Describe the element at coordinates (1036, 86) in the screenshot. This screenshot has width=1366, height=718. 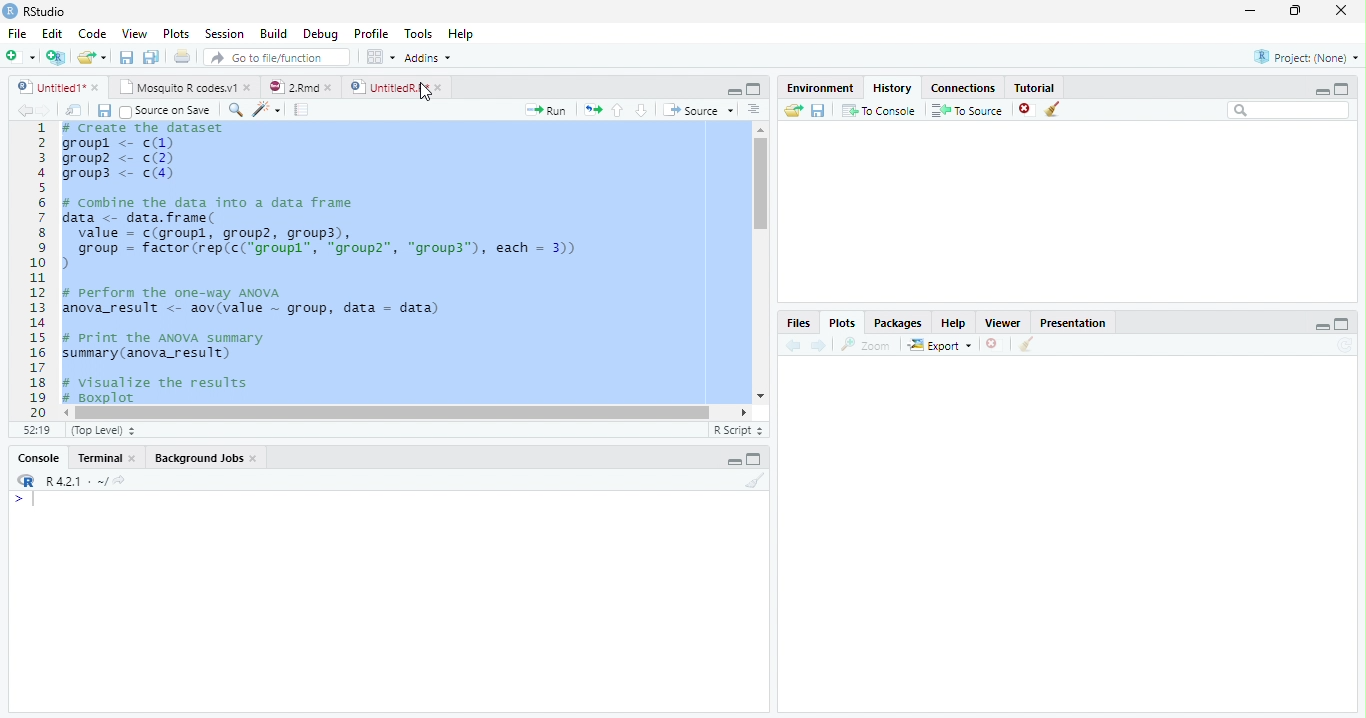
I see `Tutorial` at that location.